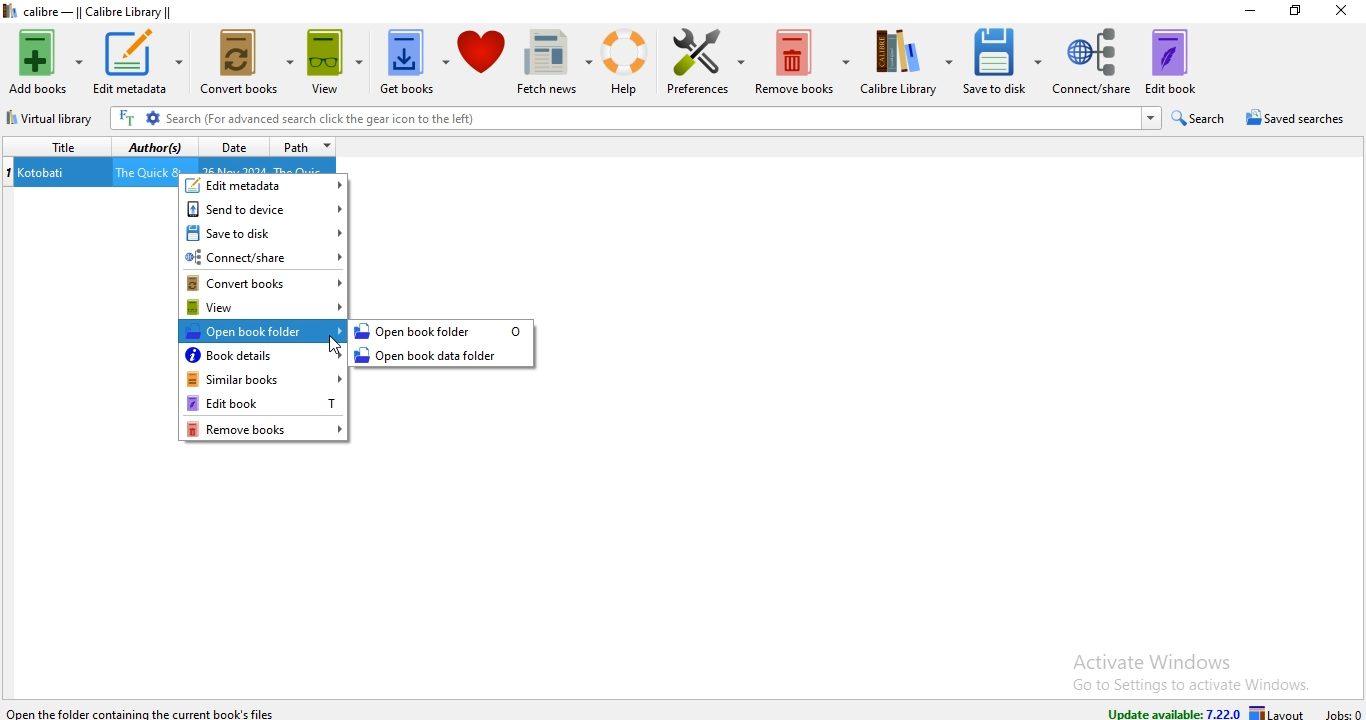 This screenshot has width=1366, height=720. What do you see at coordinates (97, 10) in the screenshot?
I see `calibre - || Calibre Library ||` at bounding box center [97, 10].